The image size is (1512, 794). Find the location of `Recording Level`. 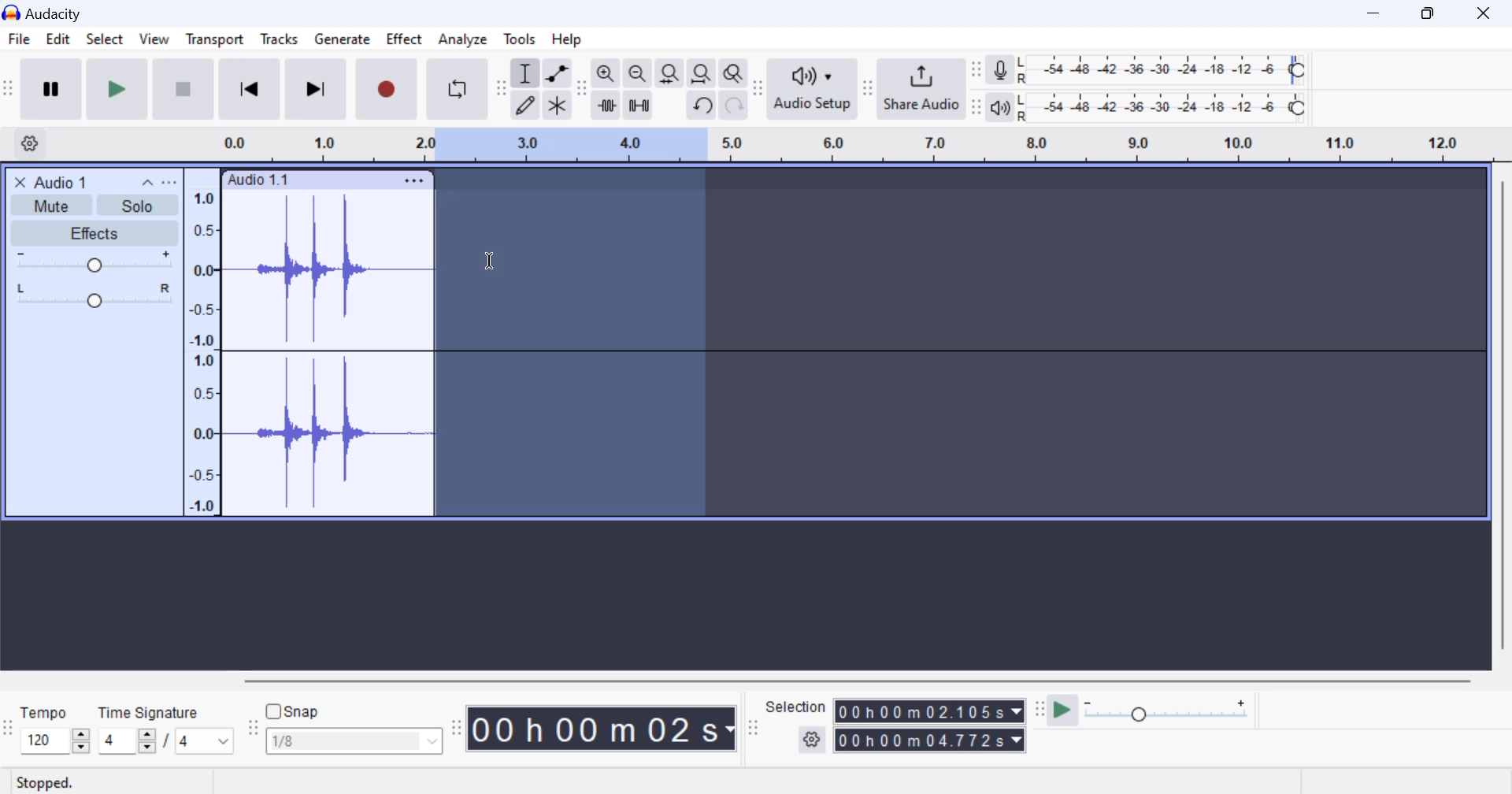

Recording Level is located at coordinates (1162, 70).